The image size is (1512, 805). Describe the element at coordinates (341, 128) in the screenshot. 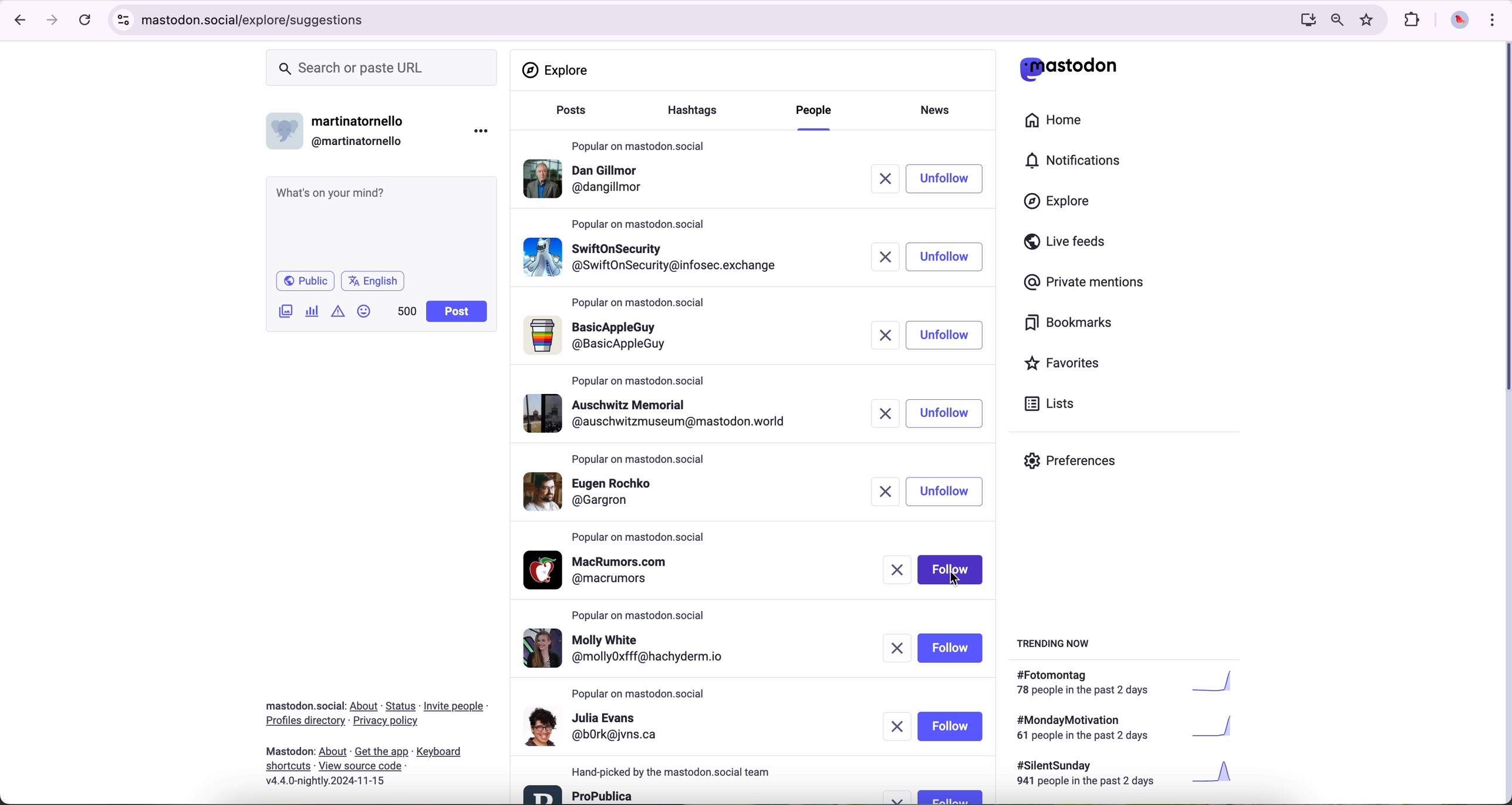

I see `username` at that location.